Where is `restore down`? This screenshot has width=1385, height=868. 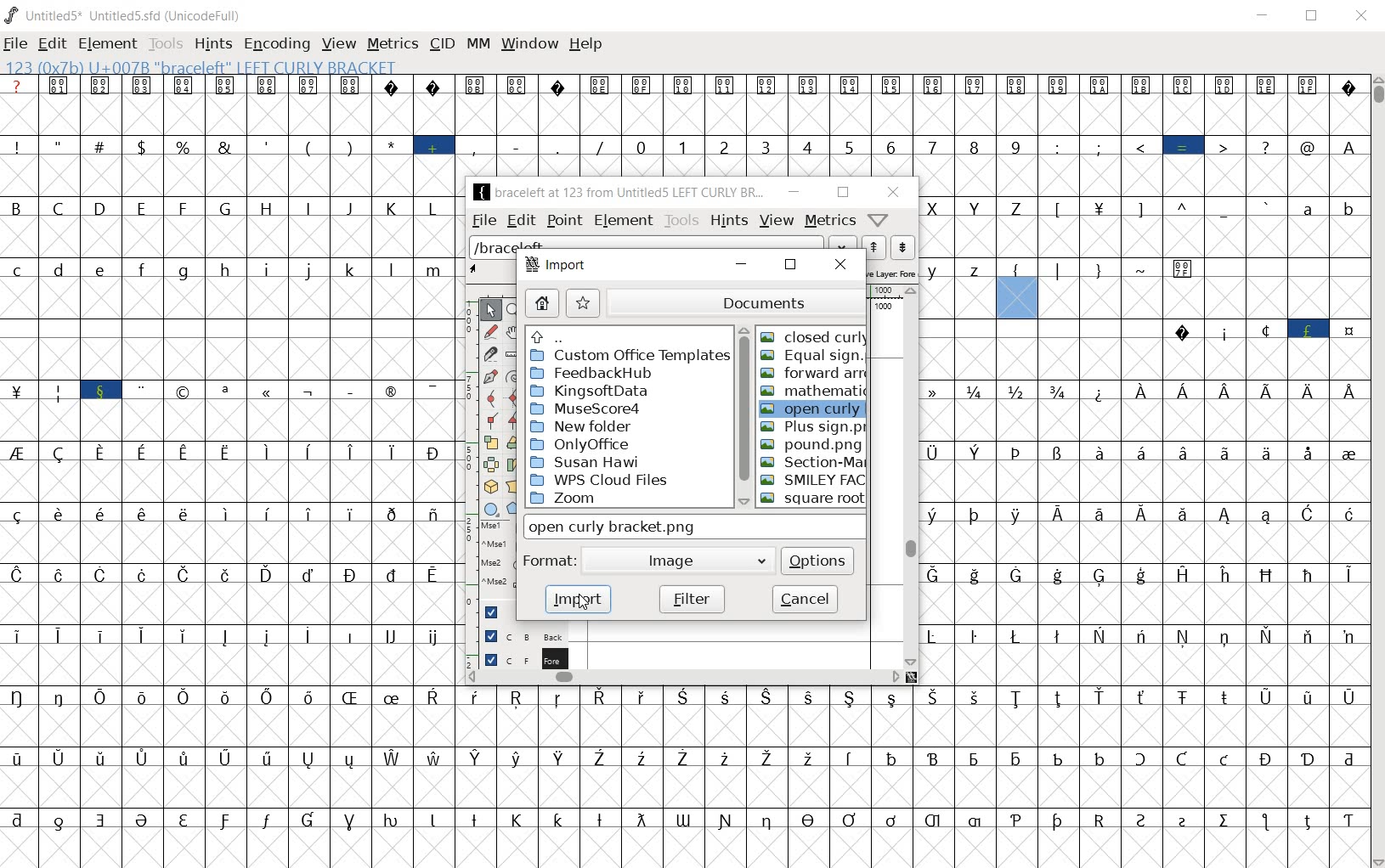 restore down is located at coordinates (842, 194).